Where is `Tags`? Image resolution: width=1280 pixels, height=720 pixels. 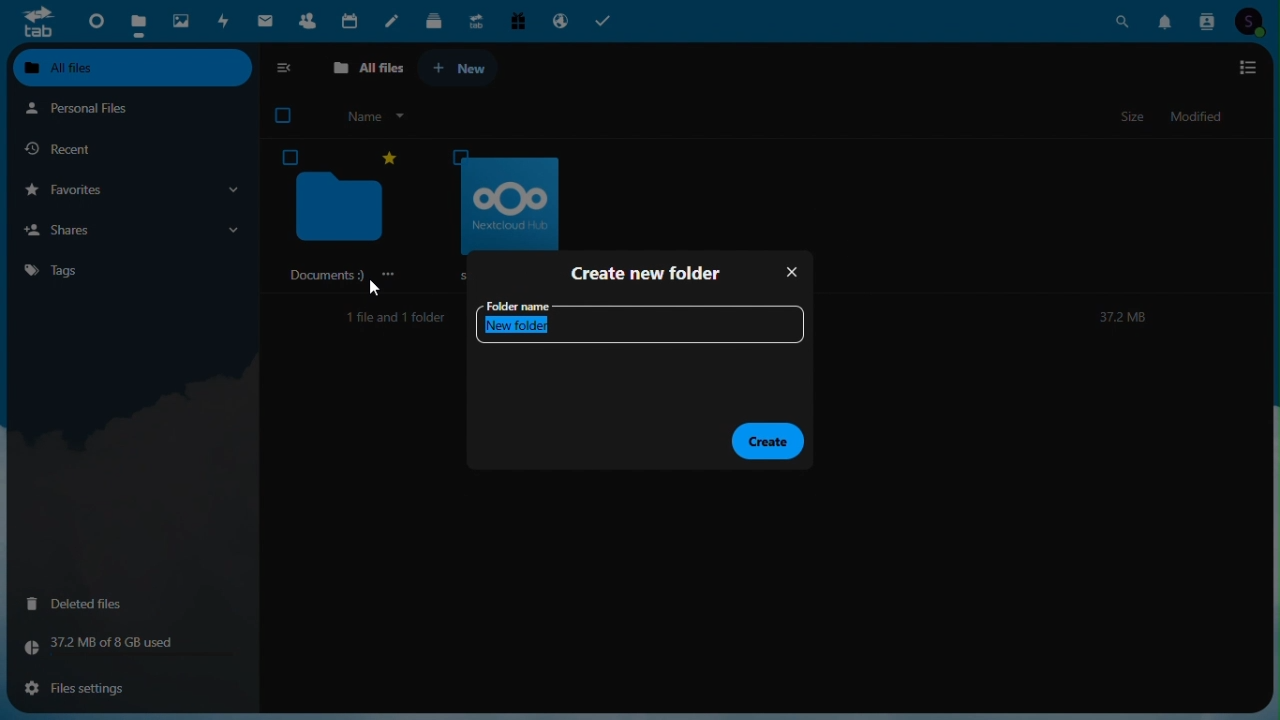
Tags is located at coordinates (128, 269).